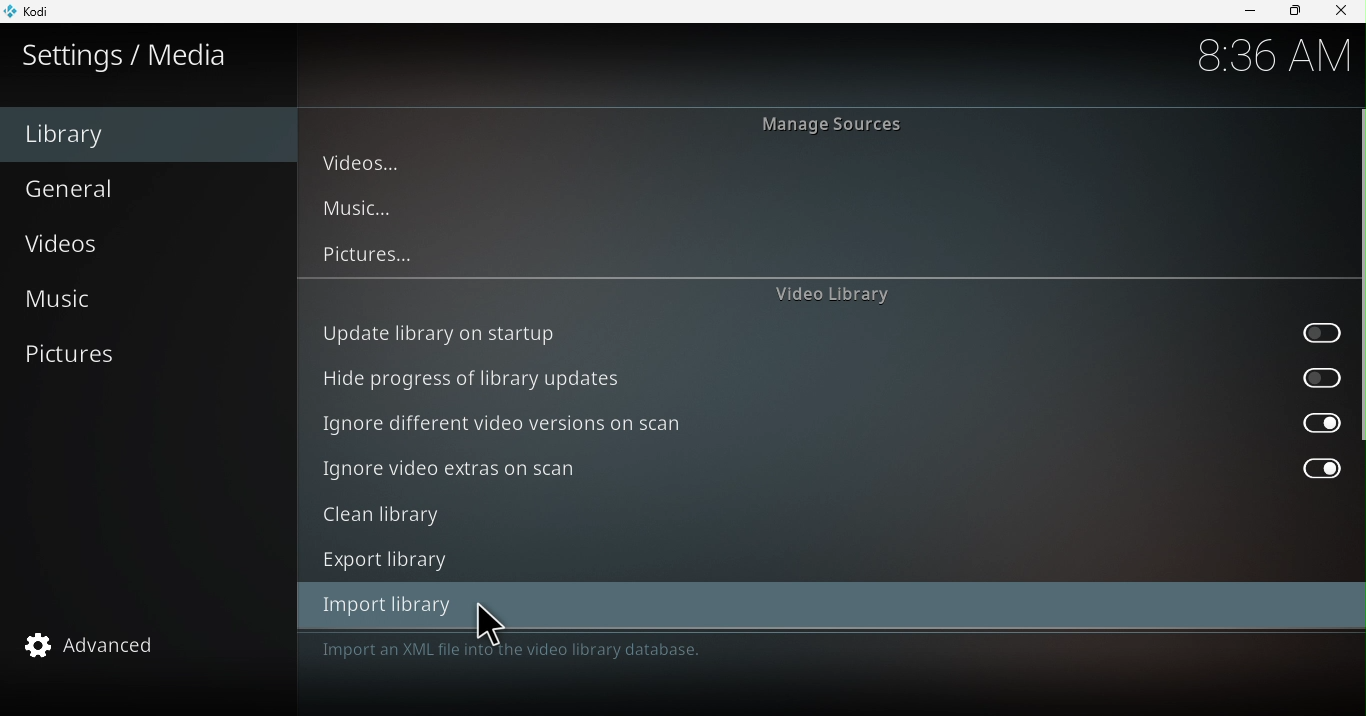  I want to click on Update library on startup, so click(830, 333).